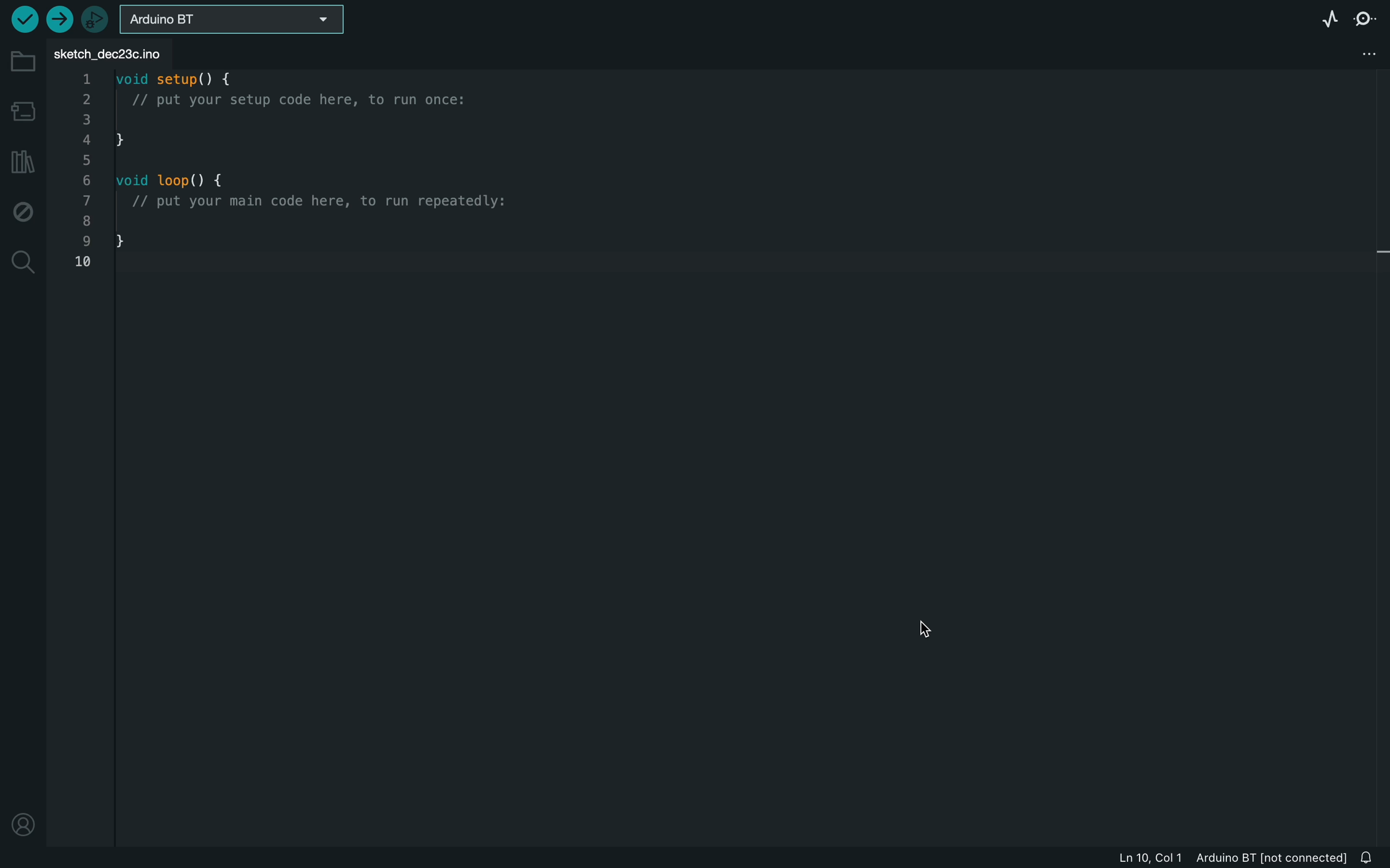  What do you see at coordinates (1320, 17) in the screenshot?
I see `serial plotter` at bounding box center [1320, 17].